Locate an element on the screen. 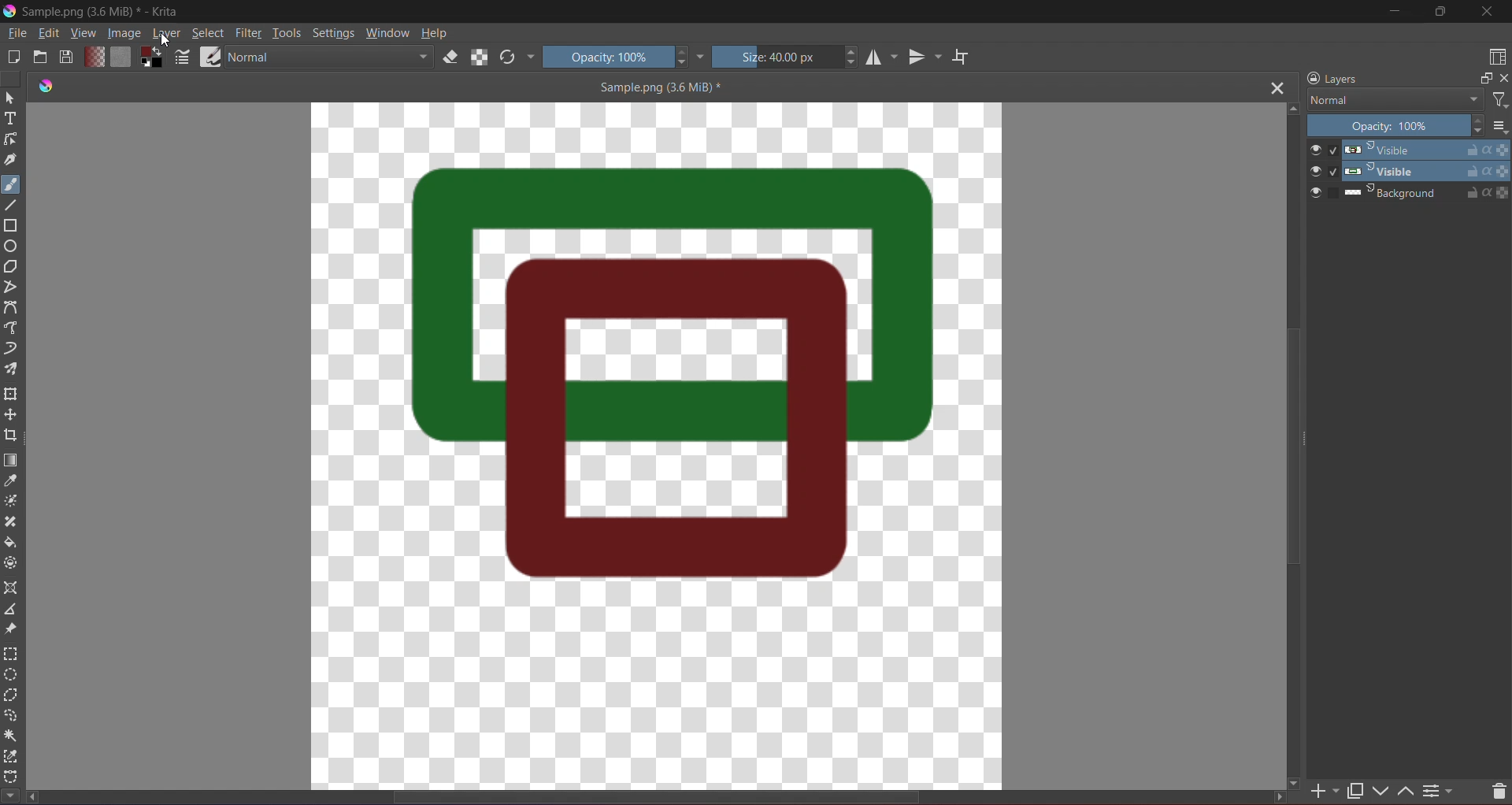 This screenshot has height=805, width=1512. Objects is located at coordinates (669, 382).